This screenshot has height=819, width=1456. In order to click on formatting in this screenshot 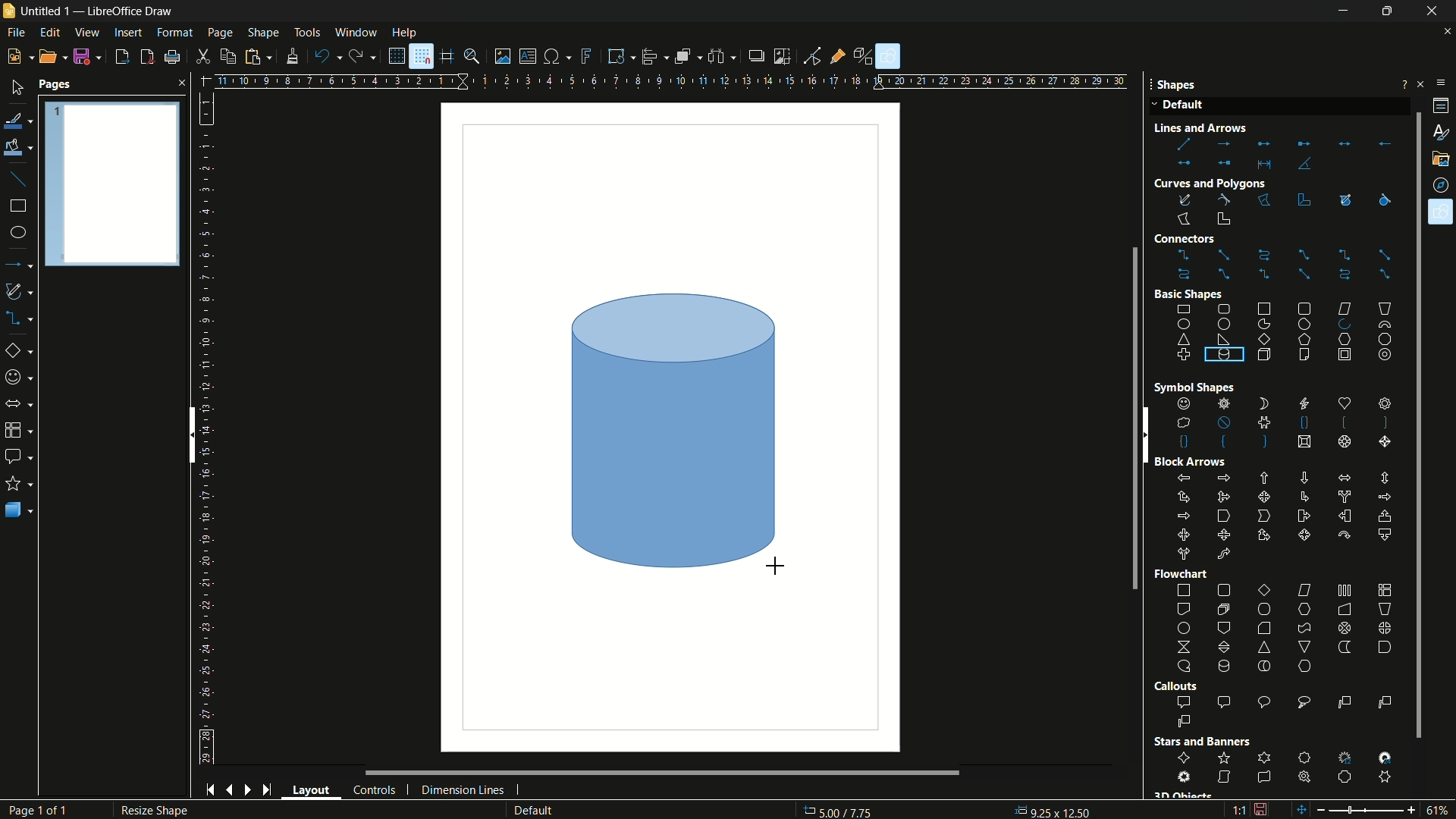, I will do `click(294, 56)`.